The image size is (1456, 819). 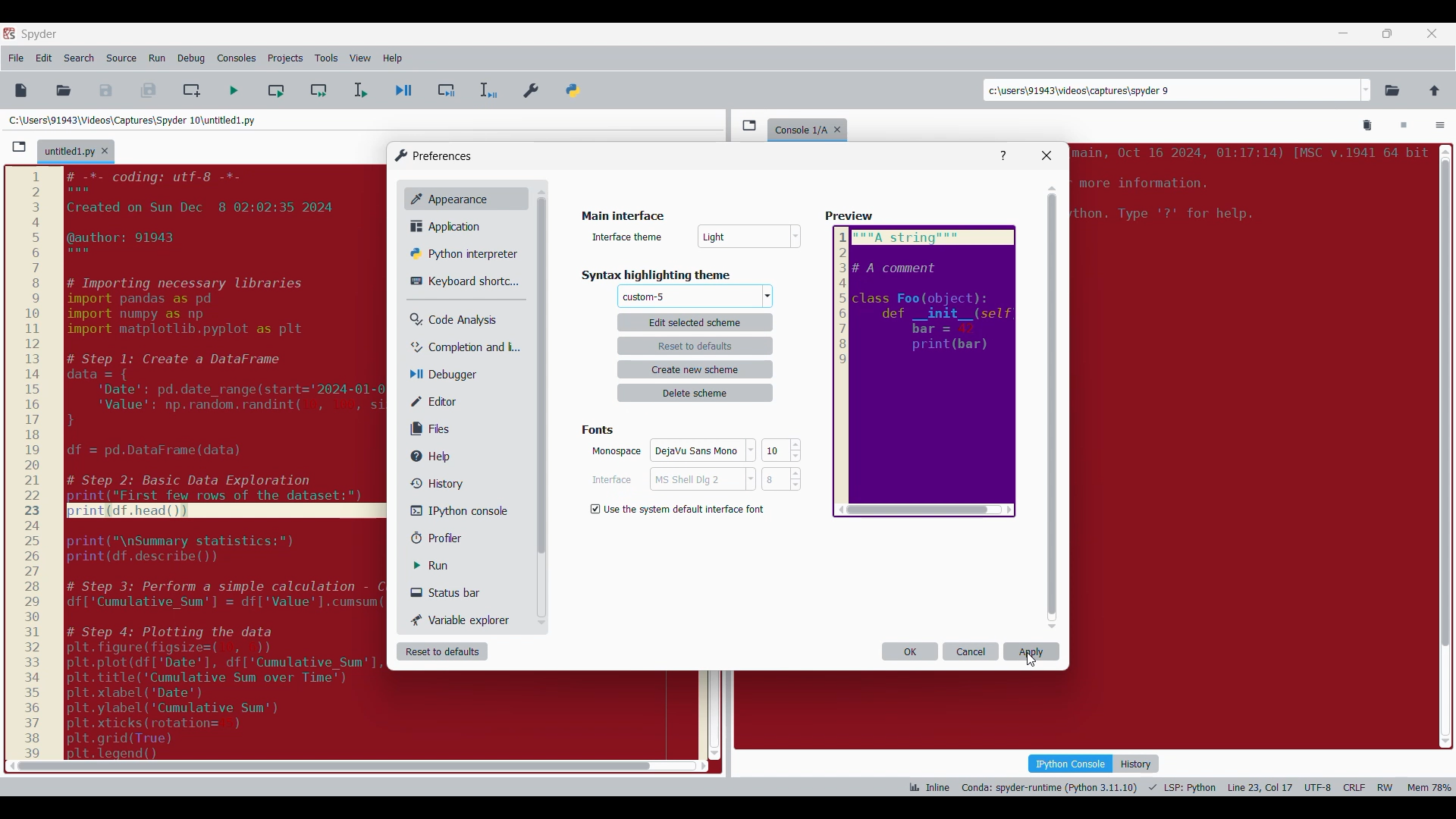 I want to click on OK, so click(x=910, y=651).